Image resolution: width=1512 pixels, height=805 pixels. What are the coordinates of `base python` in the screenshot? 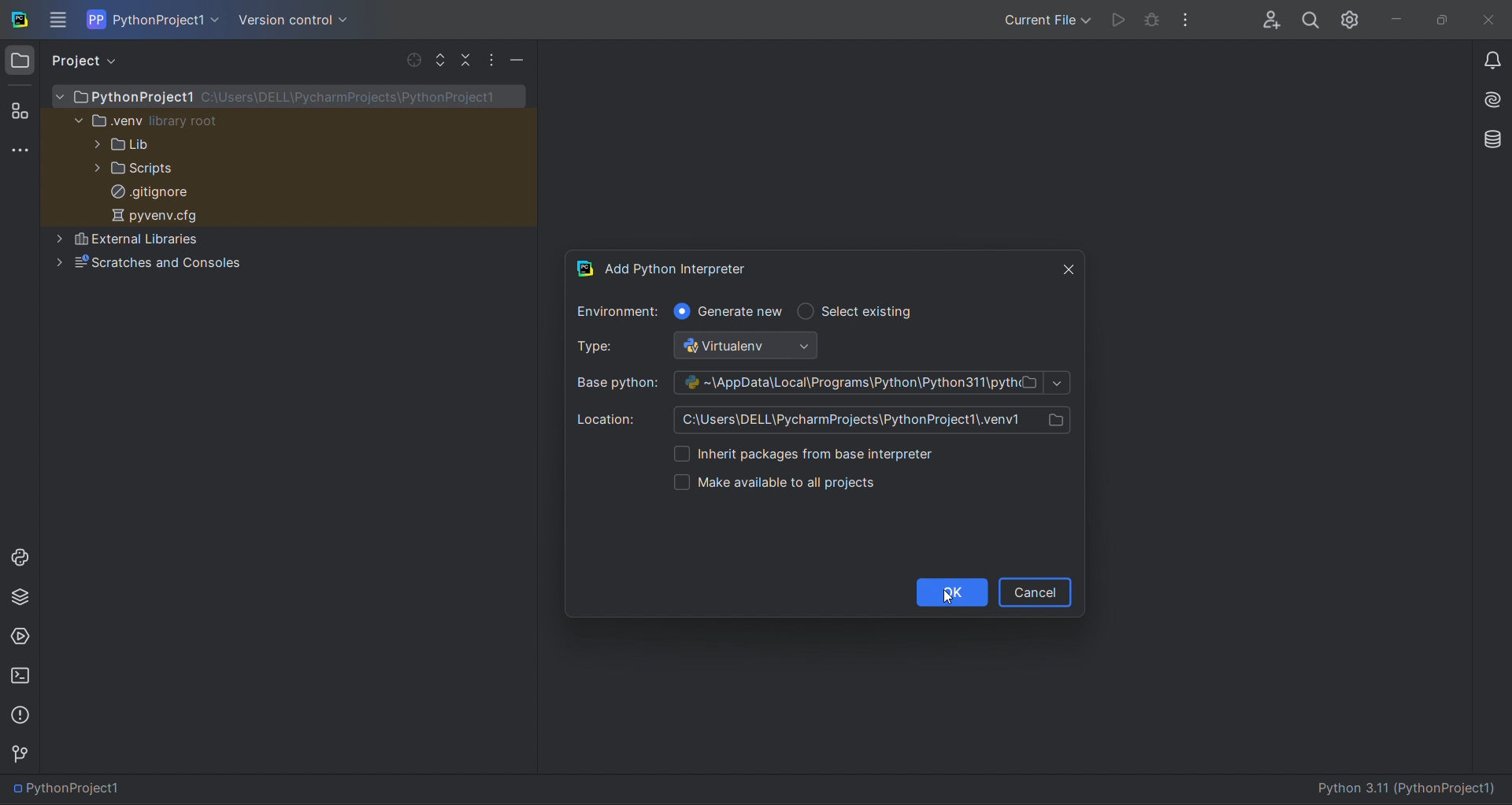 It's located at (821, 381).